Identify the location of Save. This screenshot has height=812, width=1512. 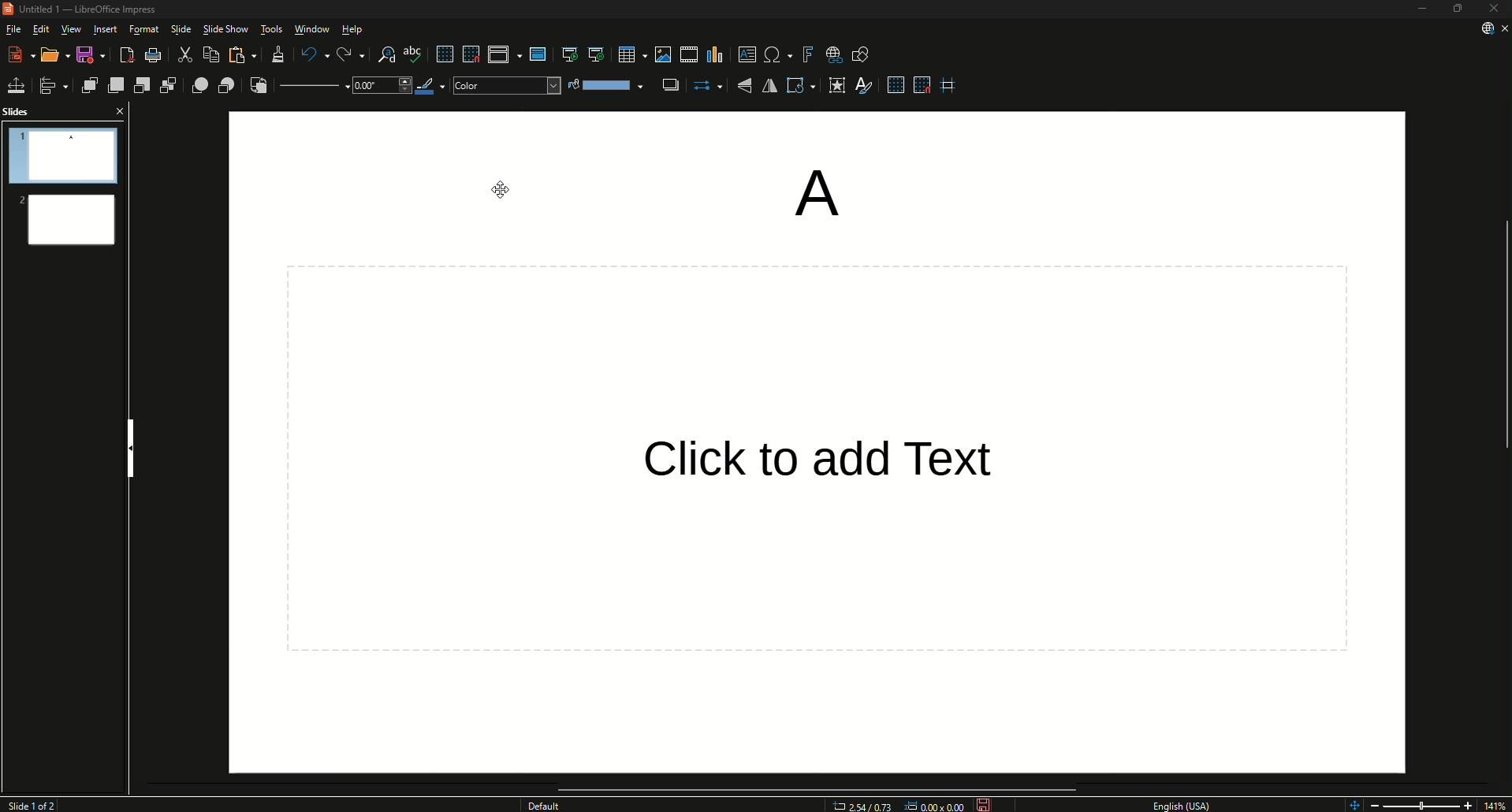
(87, 54).